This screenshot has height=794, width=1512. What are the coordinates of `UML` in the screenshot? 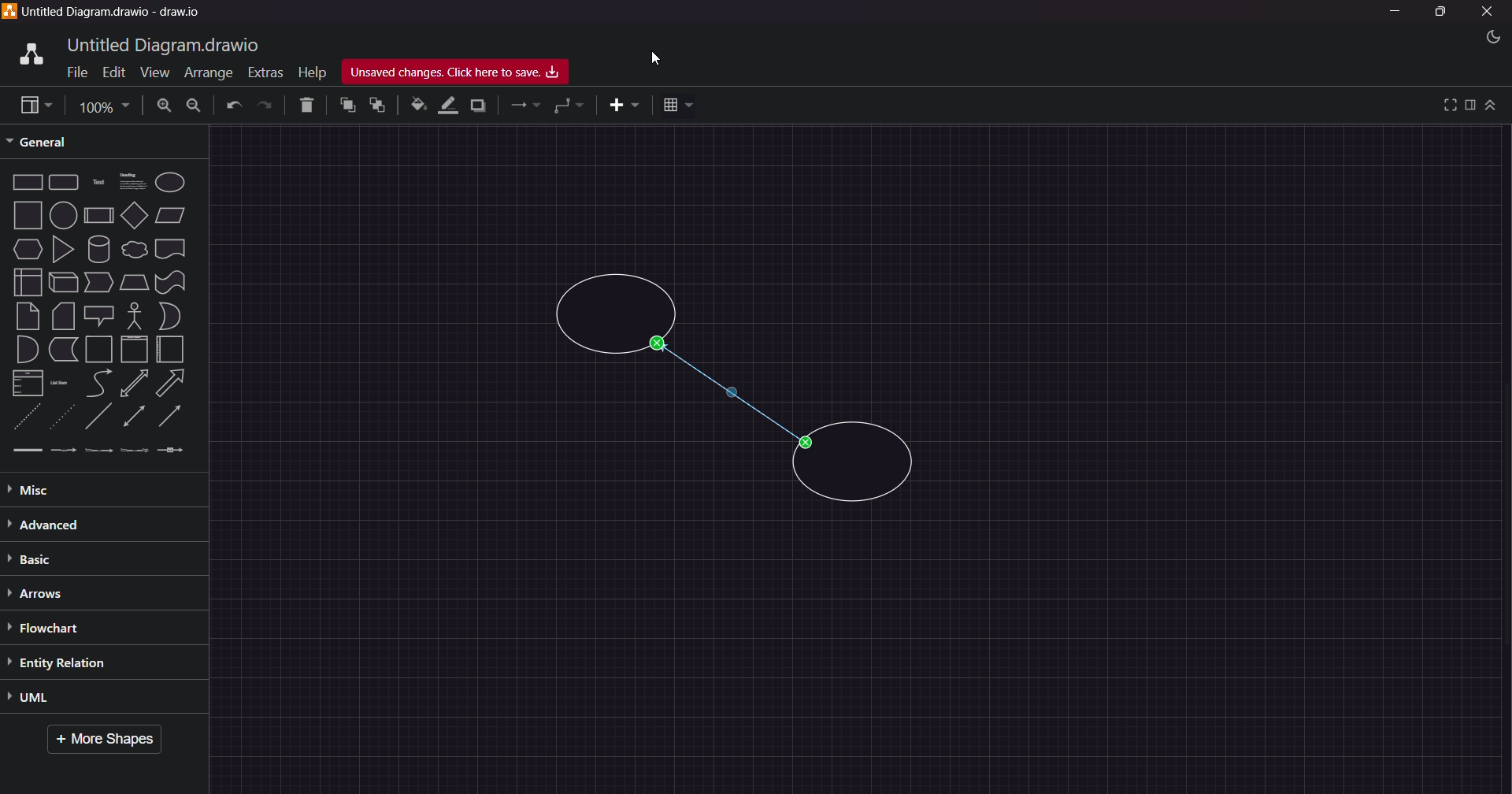 It's located at (72, 699).